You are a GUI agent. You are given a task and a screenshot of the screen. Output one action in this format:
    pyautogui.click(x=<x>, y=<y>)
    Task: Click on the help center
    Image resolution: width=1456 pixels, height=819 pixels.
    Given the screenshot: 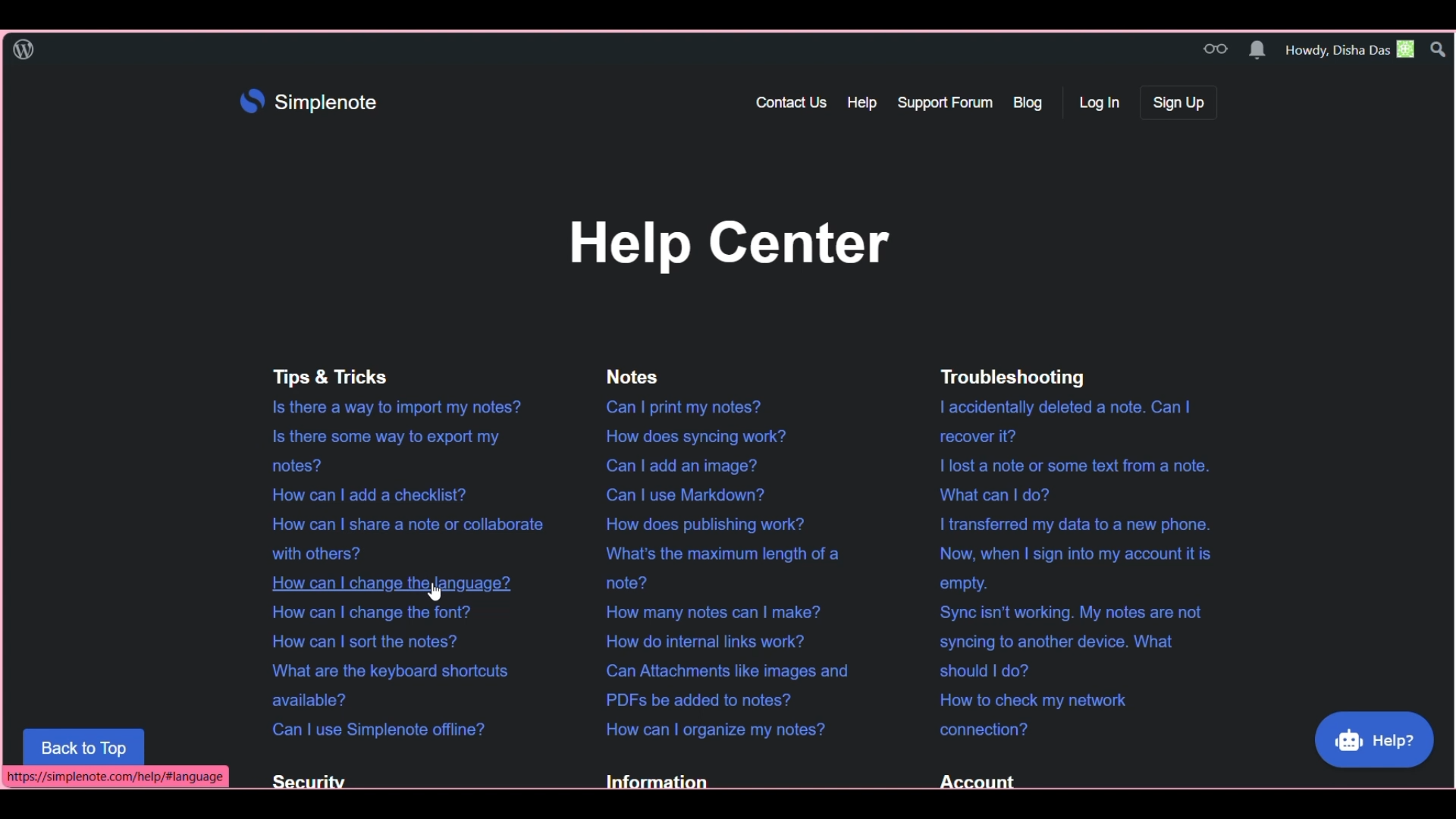 What is the action you would take?
    pyautogui.click(x=726, y=244)
    